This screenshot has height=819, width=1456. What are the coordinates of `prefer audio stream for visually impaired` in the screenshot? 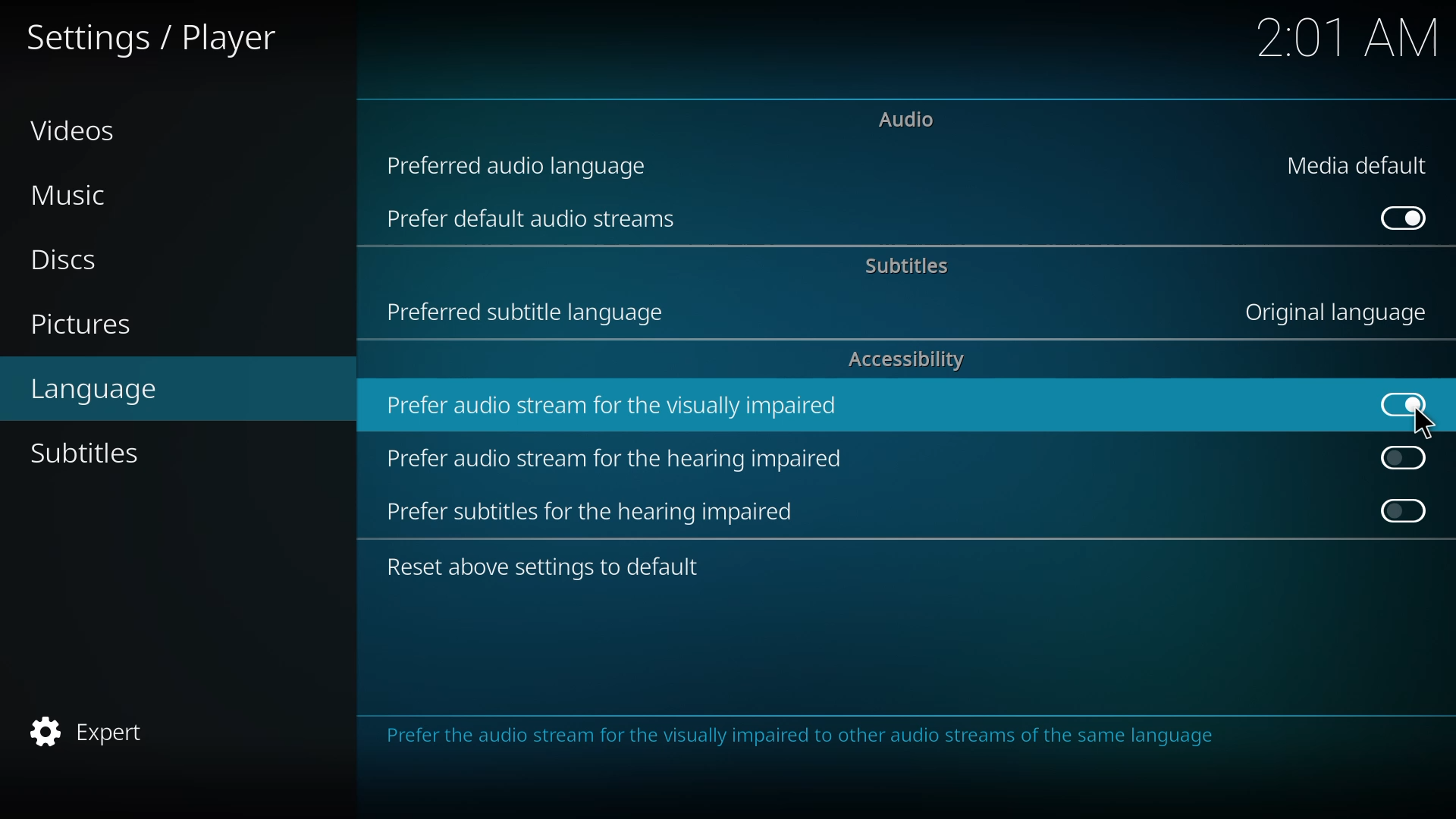 It's located at (613, 406).